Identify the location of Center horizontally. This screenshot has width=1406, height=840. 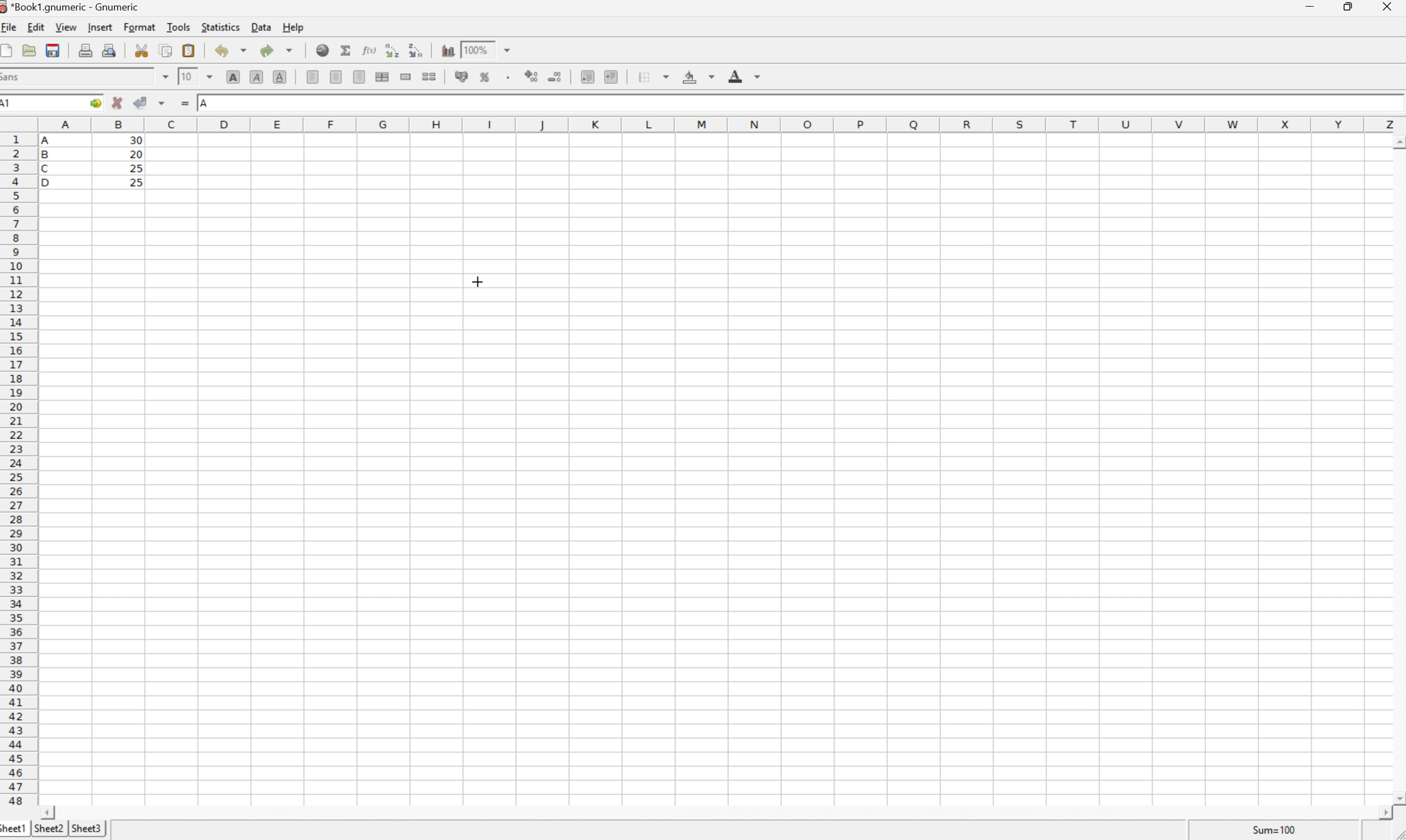
(337, 78).